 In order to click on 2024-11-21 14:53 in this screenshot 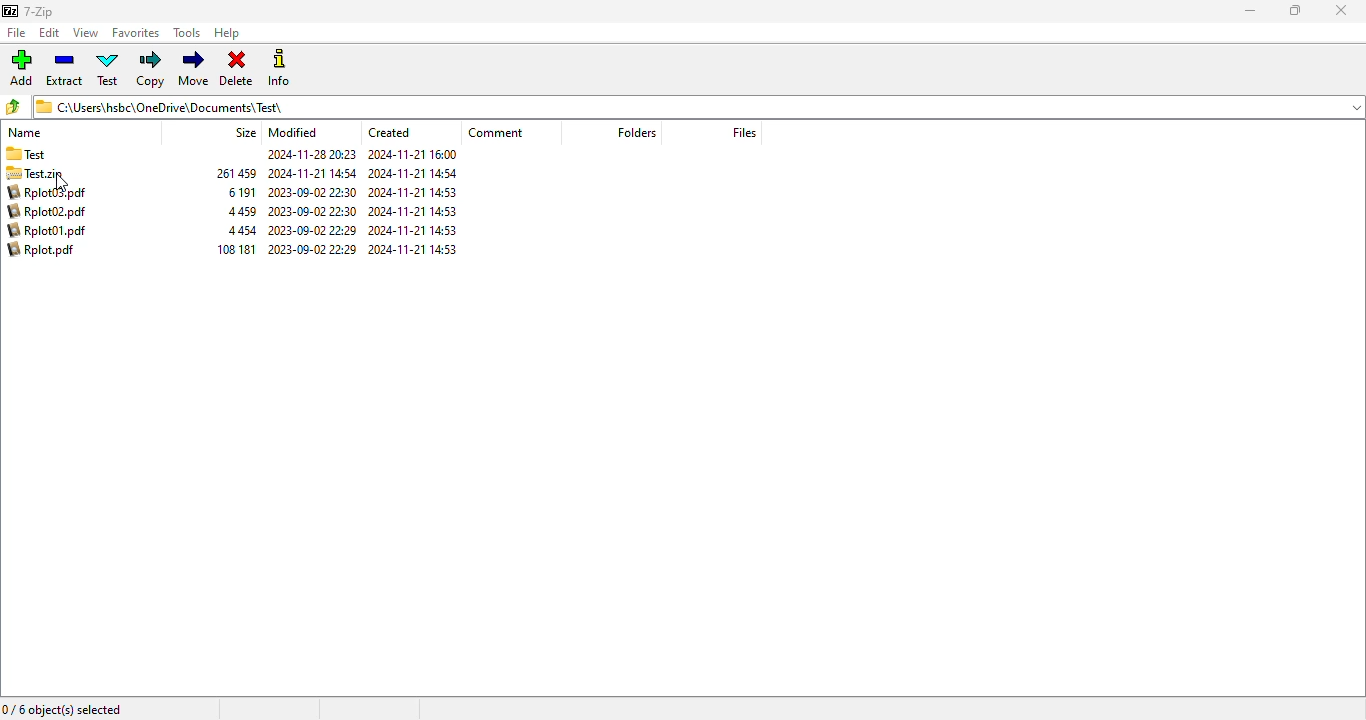, I will do `click(415, 229)`.